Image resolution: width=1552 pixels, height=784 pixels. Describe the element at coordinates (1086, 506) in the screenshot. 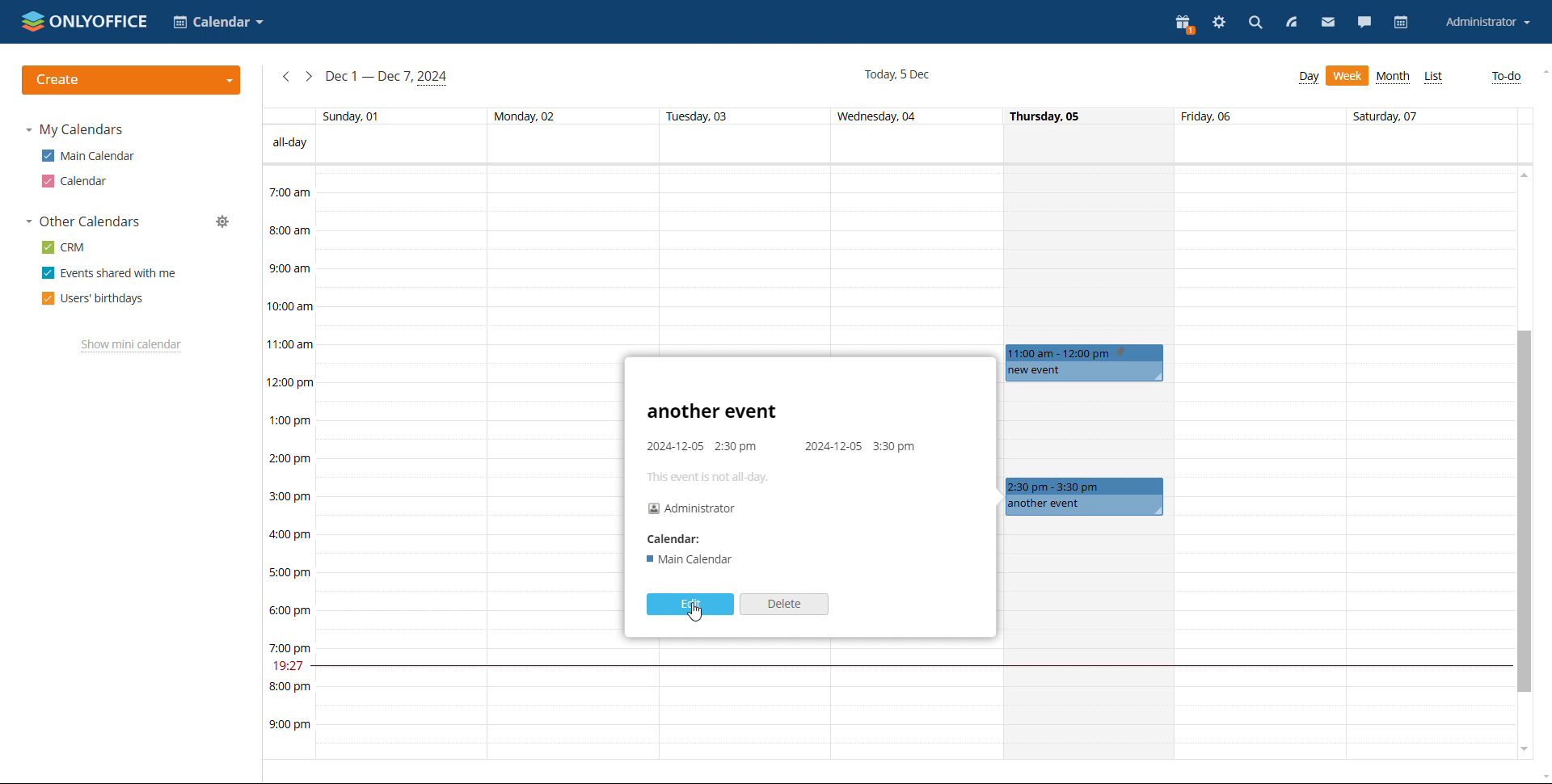

I see `another event` at that location.